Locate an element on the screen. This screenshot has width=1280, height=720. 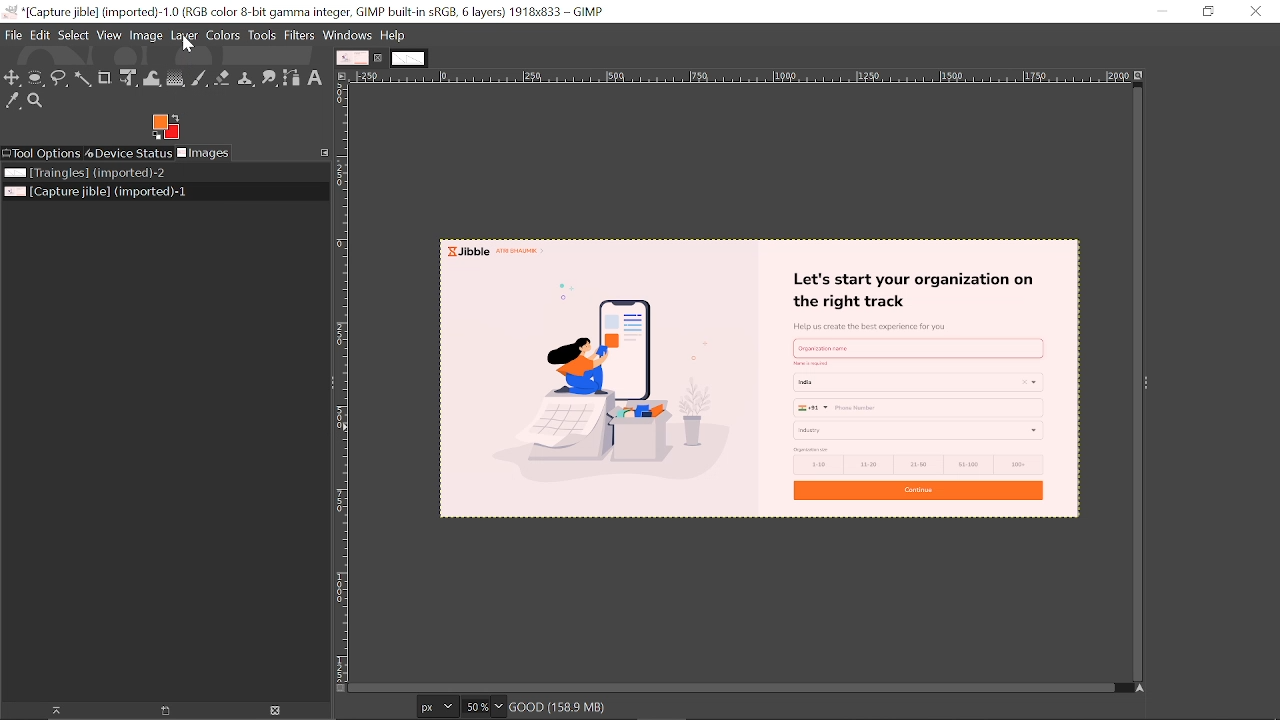
Move tool is located at coordinates (13, 78).